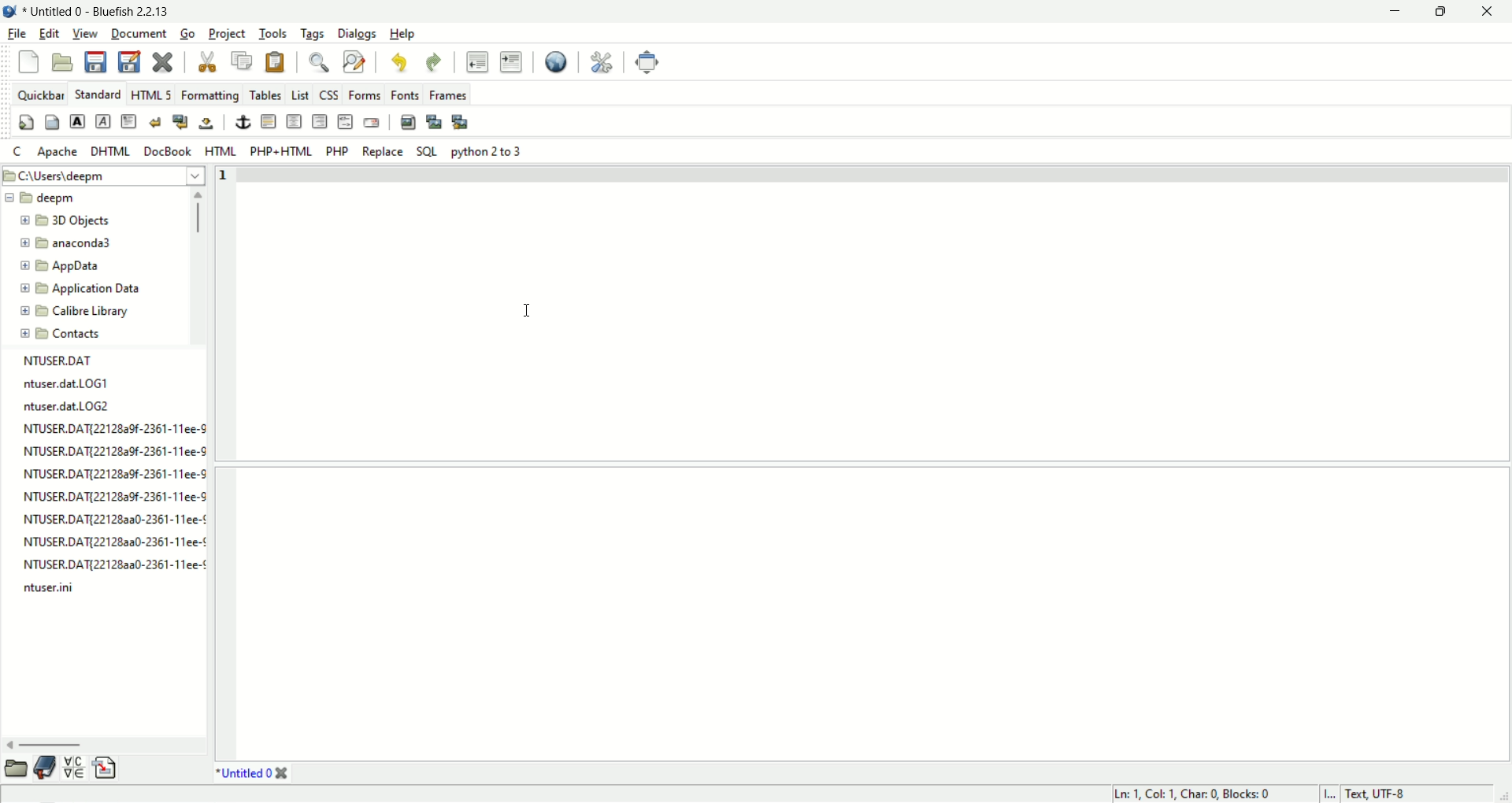 This screenshot has width=1512, height=803. I want to click on multi thumbnail, so click(461, 123).